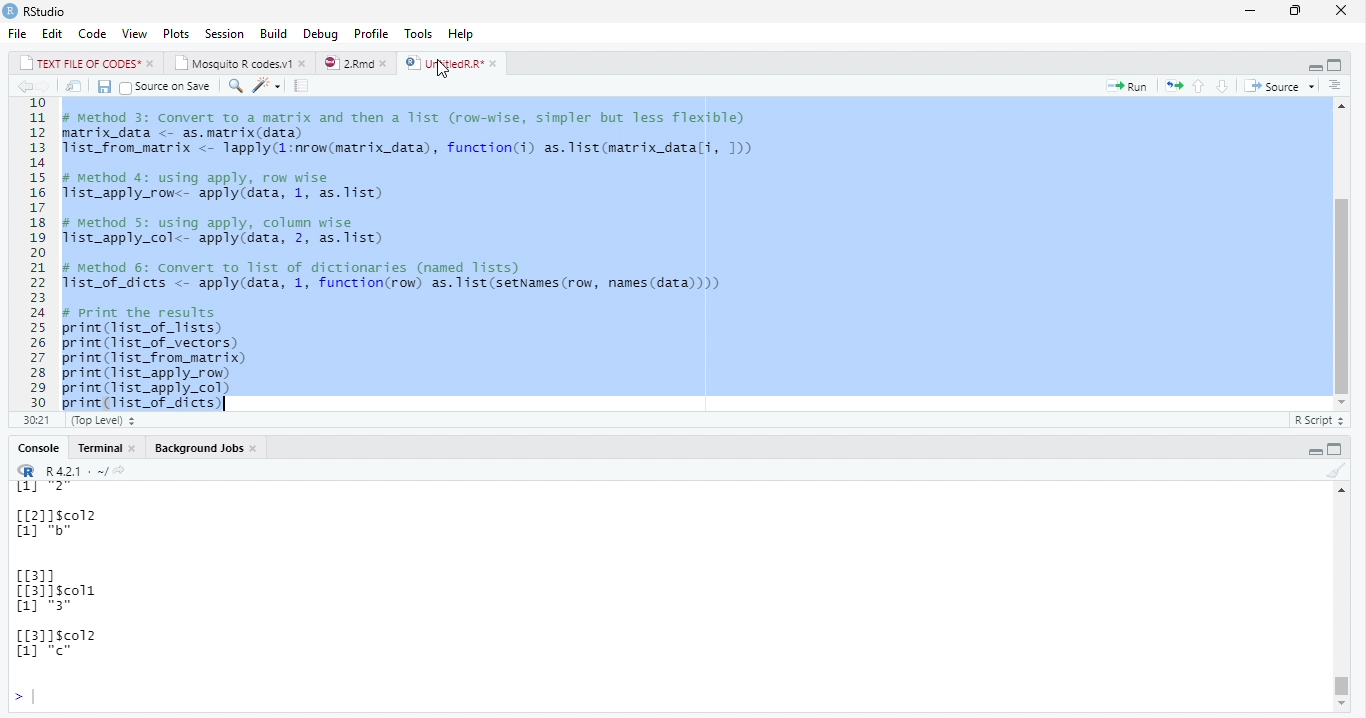  Describe the element at coordinates (232, 195) in the screenshot. I see `list_apply_row<- apply(data, 1, as.list)` at that location.